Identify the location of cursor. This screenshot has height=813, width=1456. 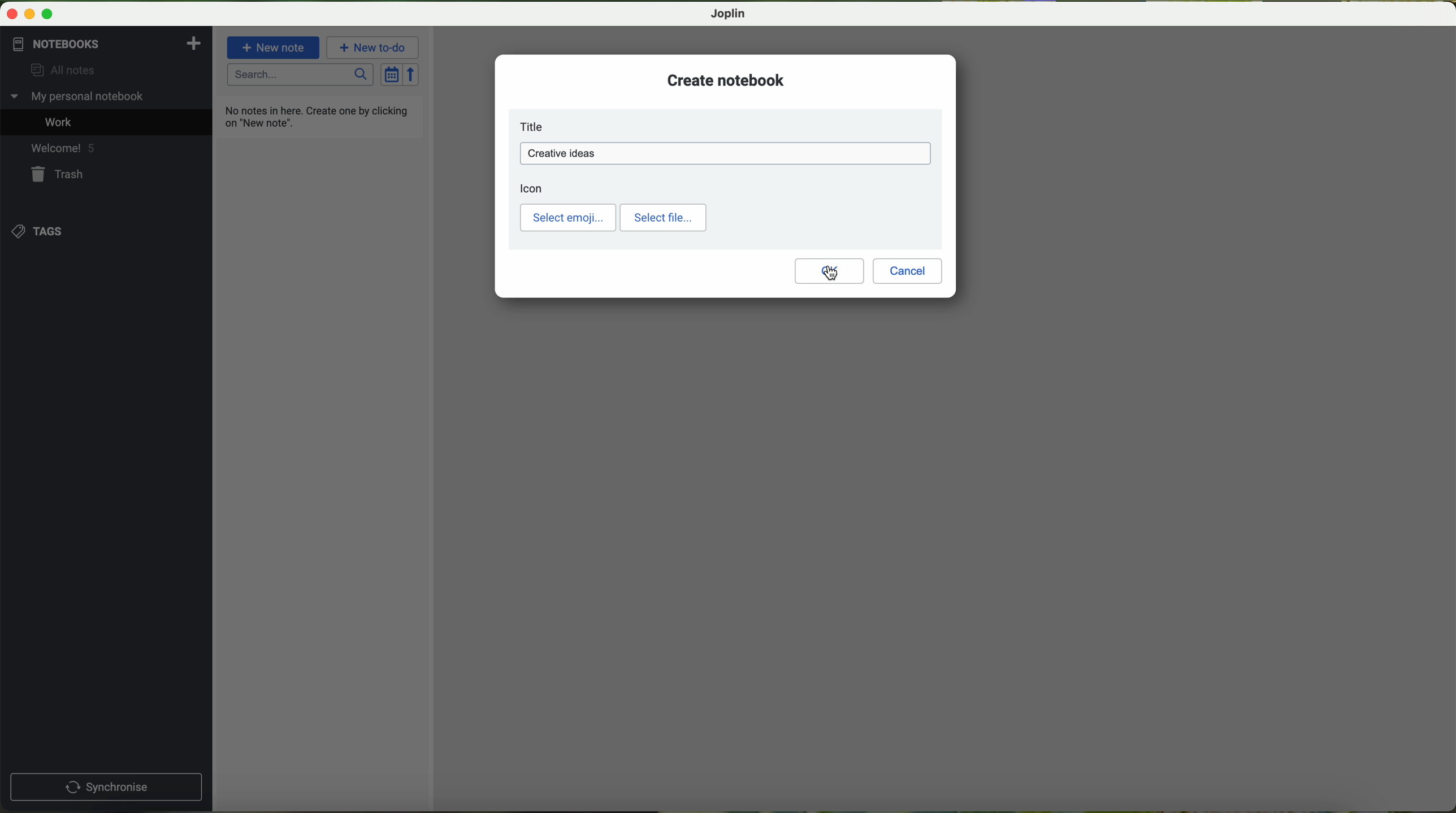
(830, 274).